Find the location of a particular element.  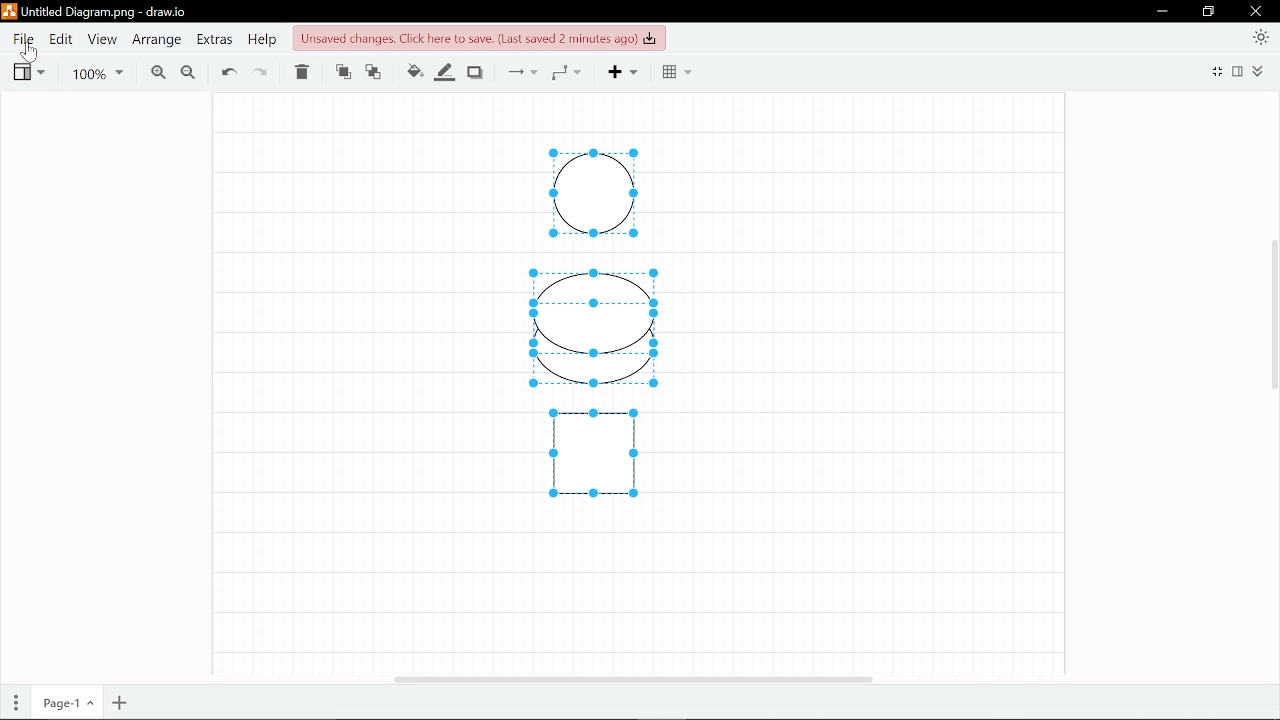

Appearence is located at coordinates (1261, 37).